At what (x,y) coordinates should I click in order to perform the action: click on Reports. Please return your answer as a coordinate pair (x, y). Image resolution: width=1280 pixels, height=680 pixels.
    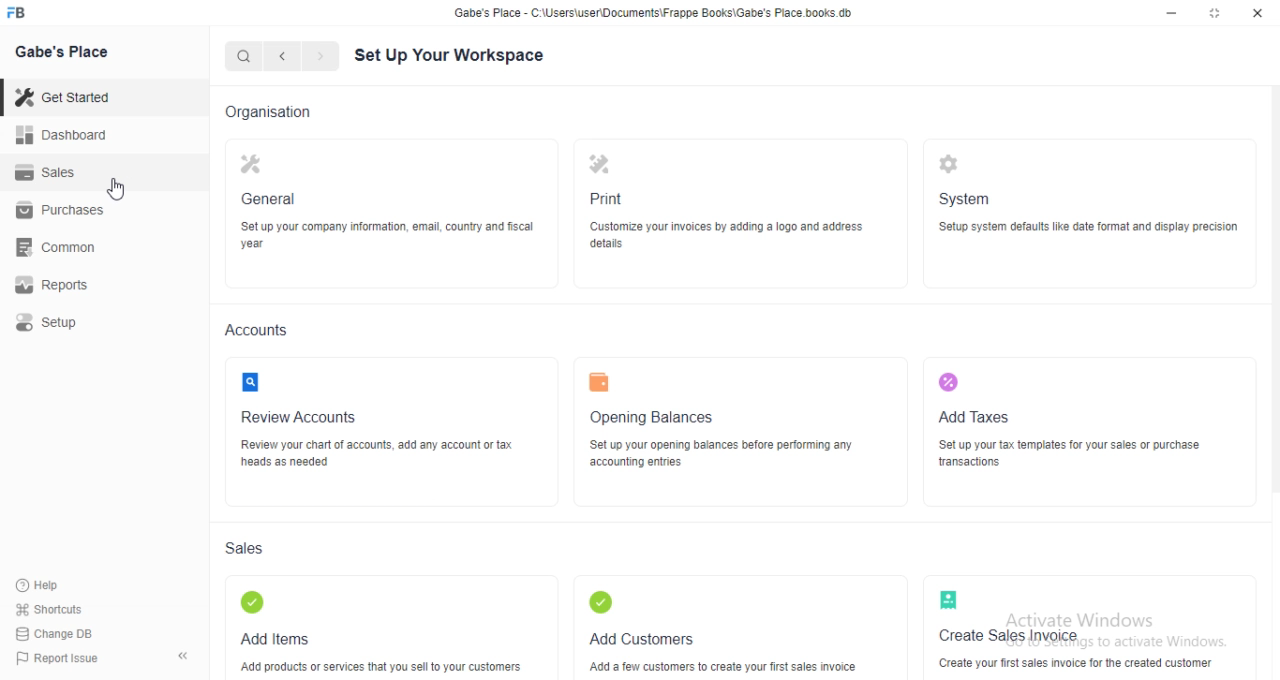
    Looking at the image, I should click on (52, 283).